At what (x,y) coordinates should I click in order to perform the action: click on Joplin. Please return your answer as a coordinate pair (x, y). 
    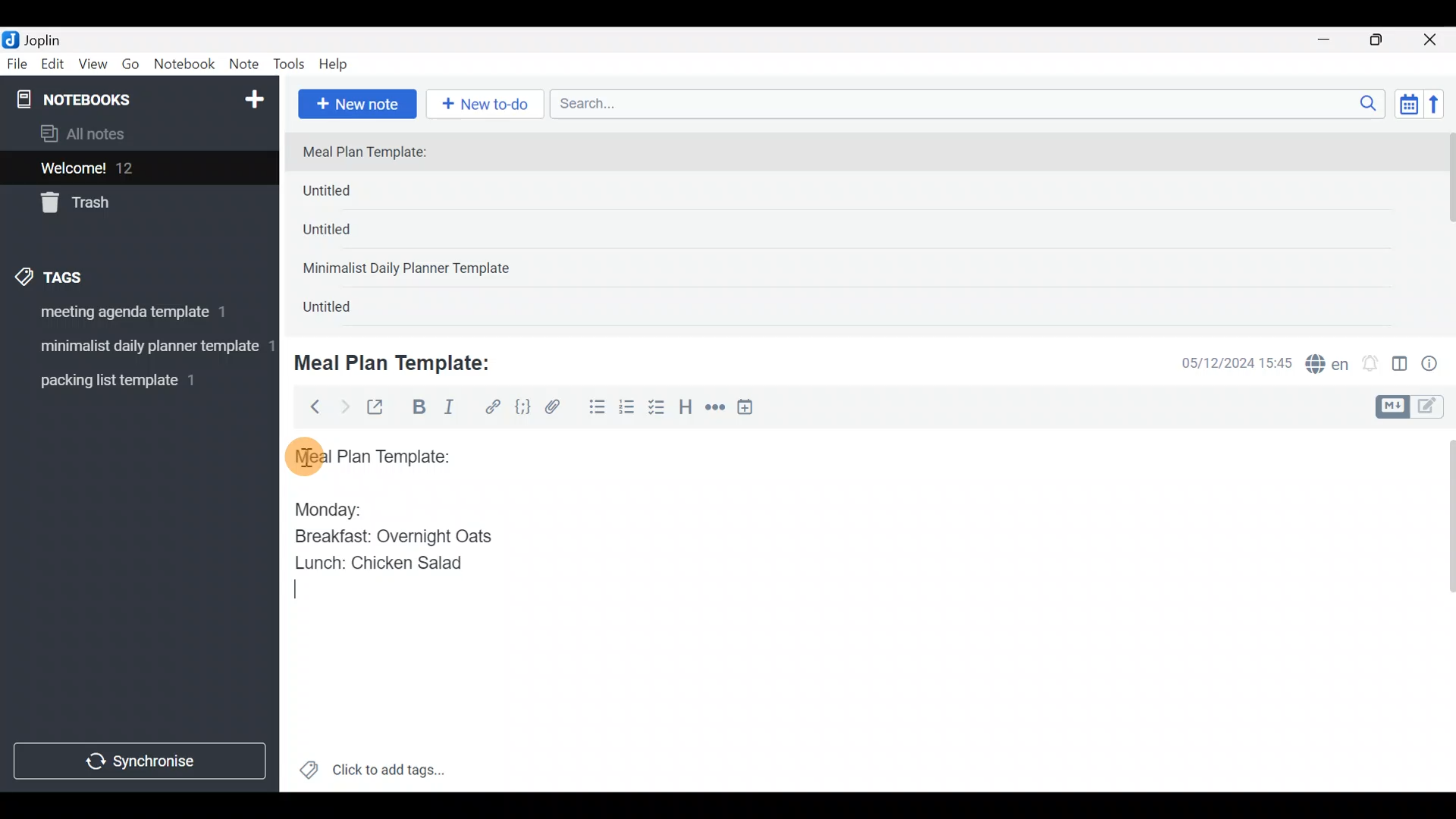
    Looking at the image, I should click on (52, 38).